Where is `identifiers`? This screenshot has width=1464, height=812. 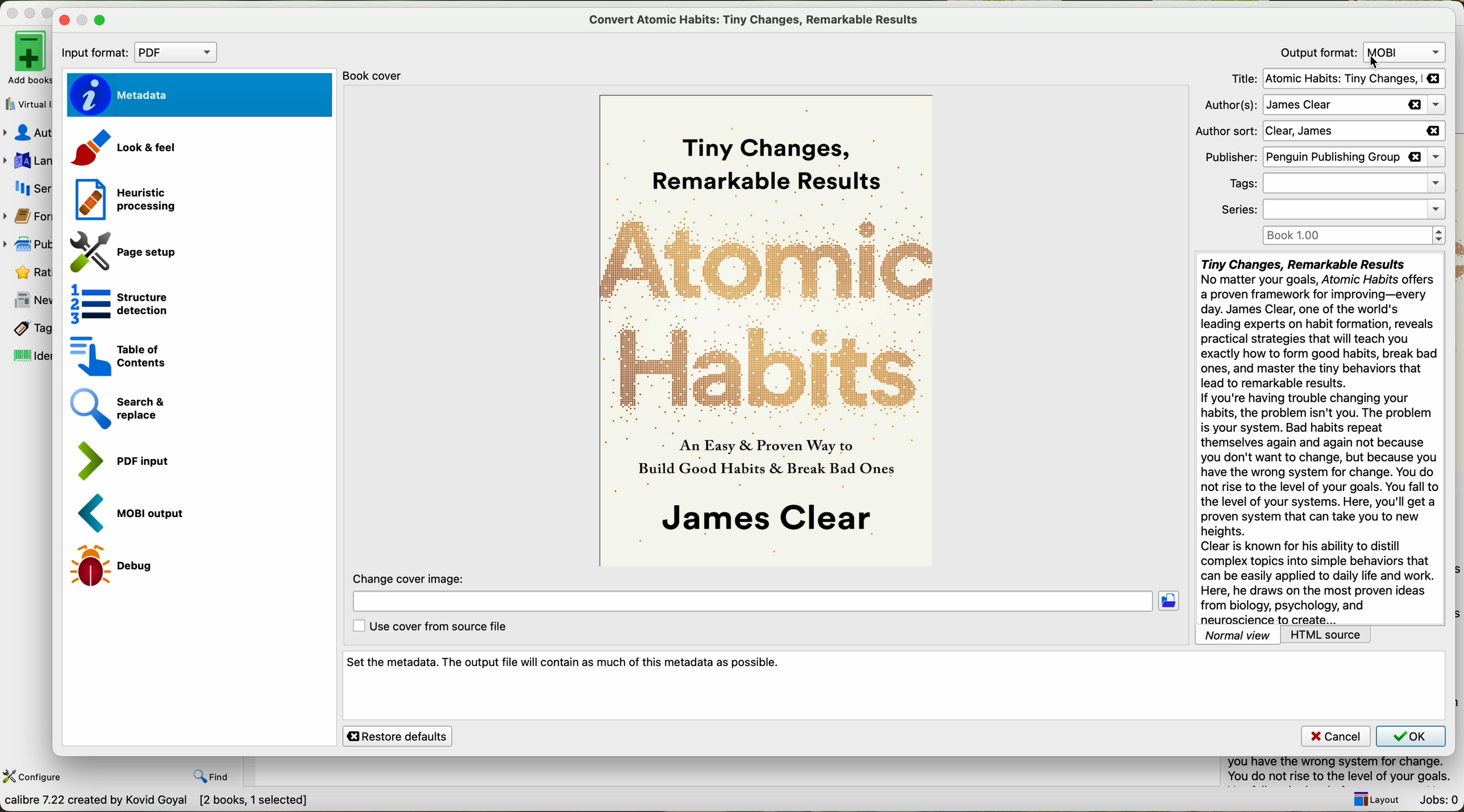
identifiers is located at coordinates (27, 356).